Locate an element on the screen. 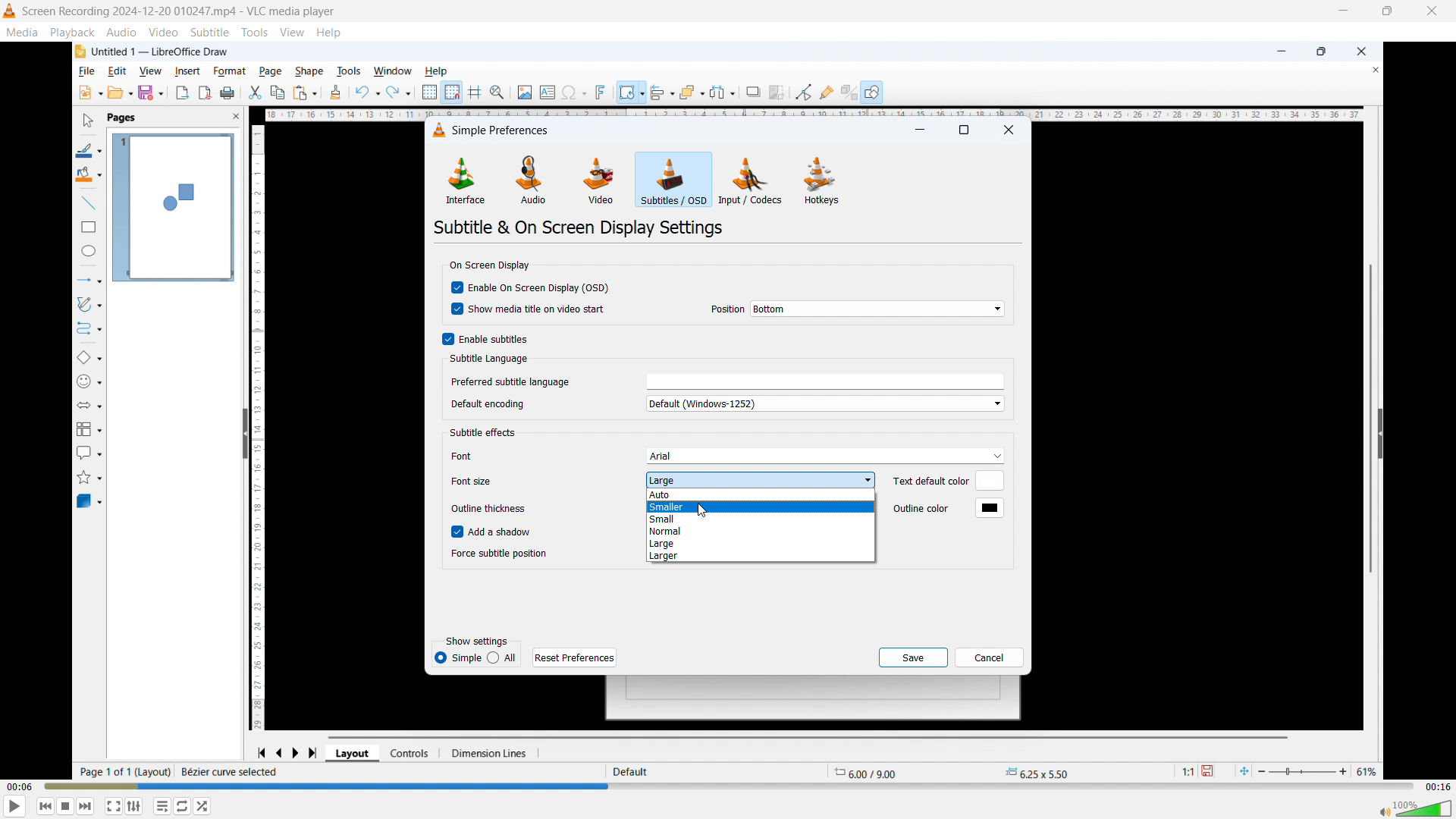  random  is located at coordinates (202, 806).